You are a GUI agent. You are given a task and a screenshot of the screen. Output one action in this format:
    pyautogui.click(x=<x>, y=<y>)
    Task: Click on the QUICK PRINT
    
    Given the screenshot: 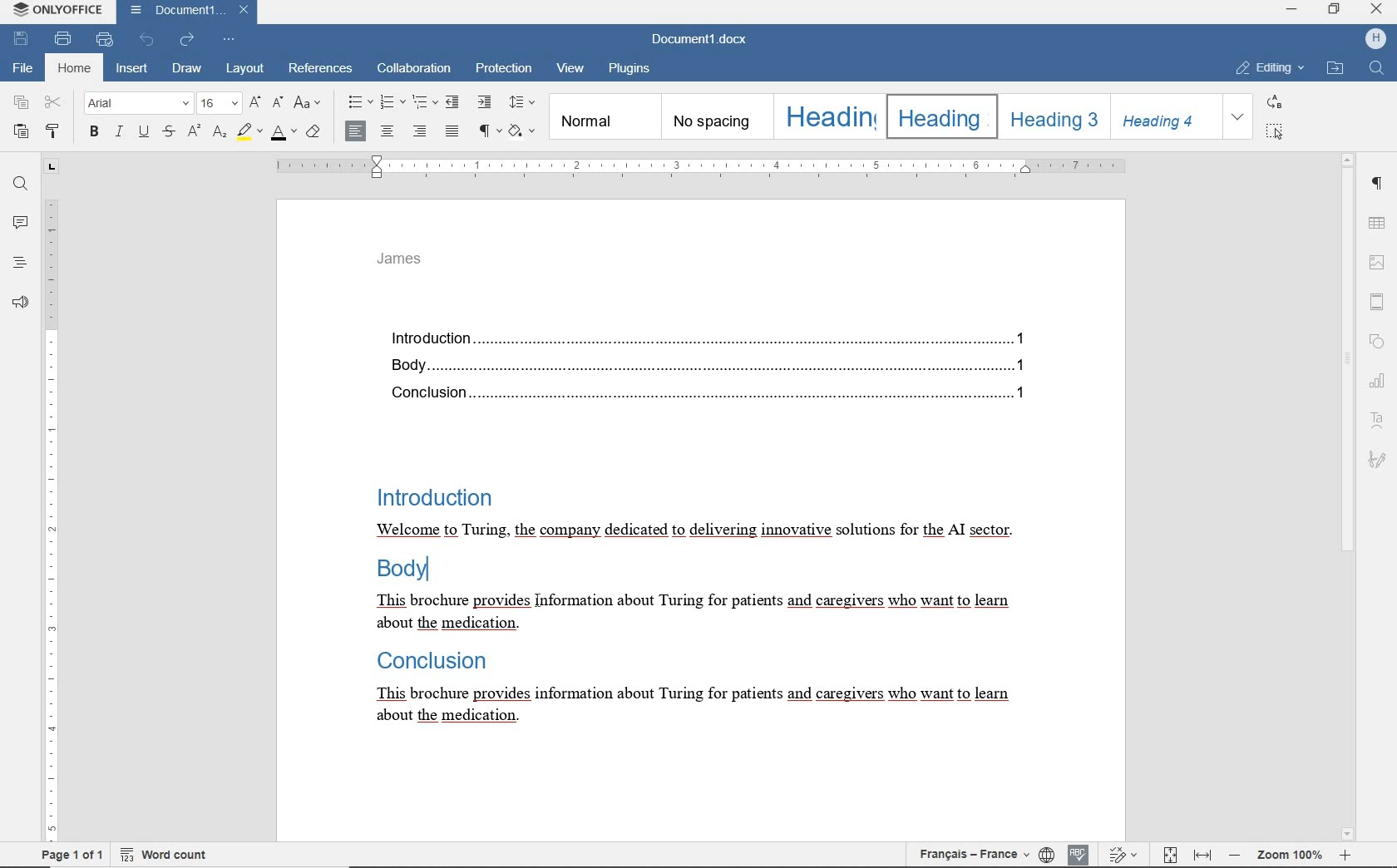 What is the action you would take?
    pyautogui.click(x=106, y=40)
    